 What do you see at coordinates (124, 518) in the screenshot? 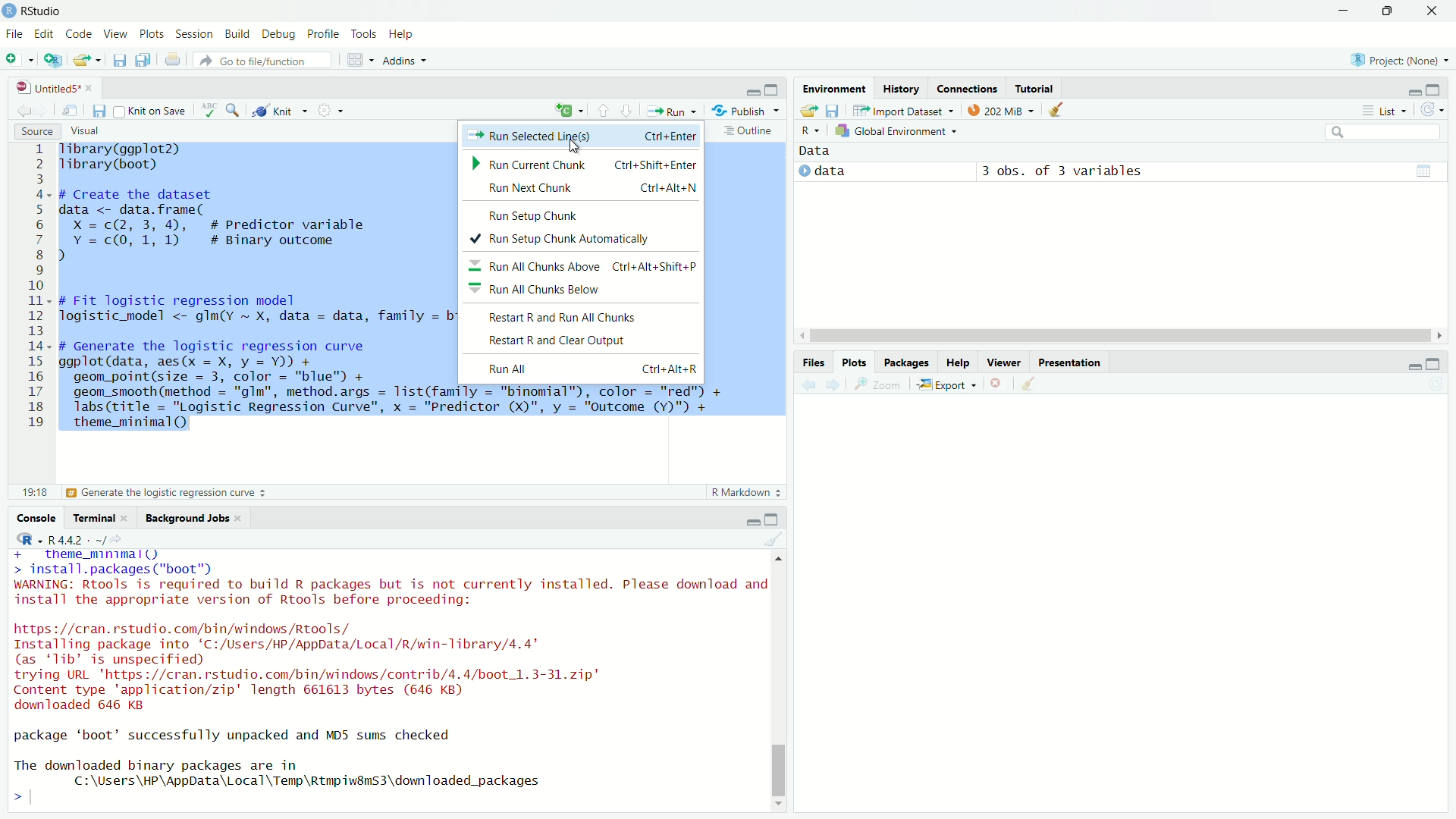
I see `close` at bounding box center [124, 518].